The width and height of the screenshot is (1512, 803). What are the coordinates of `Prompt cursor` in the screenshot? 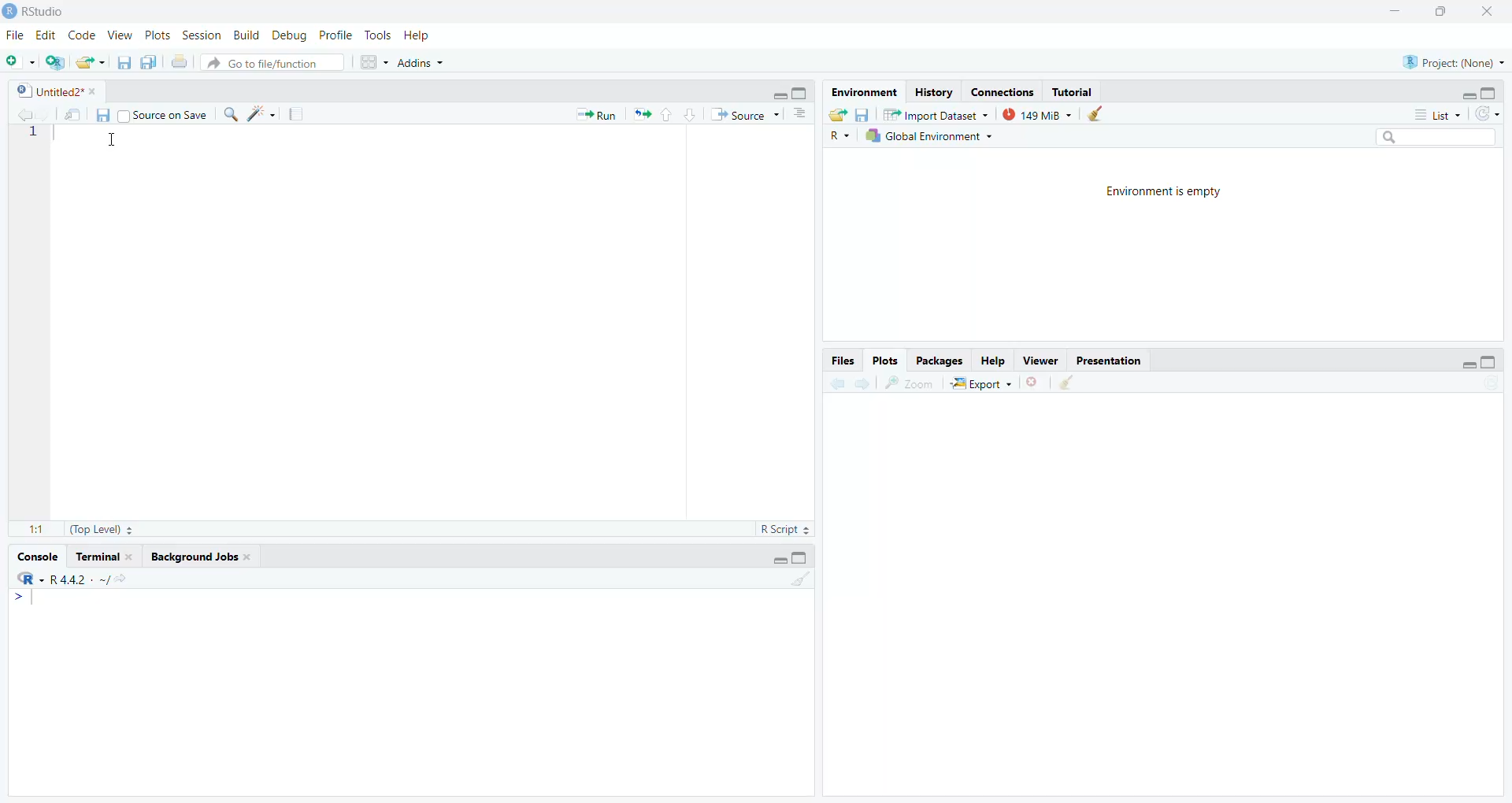 It's located at (20, 598).